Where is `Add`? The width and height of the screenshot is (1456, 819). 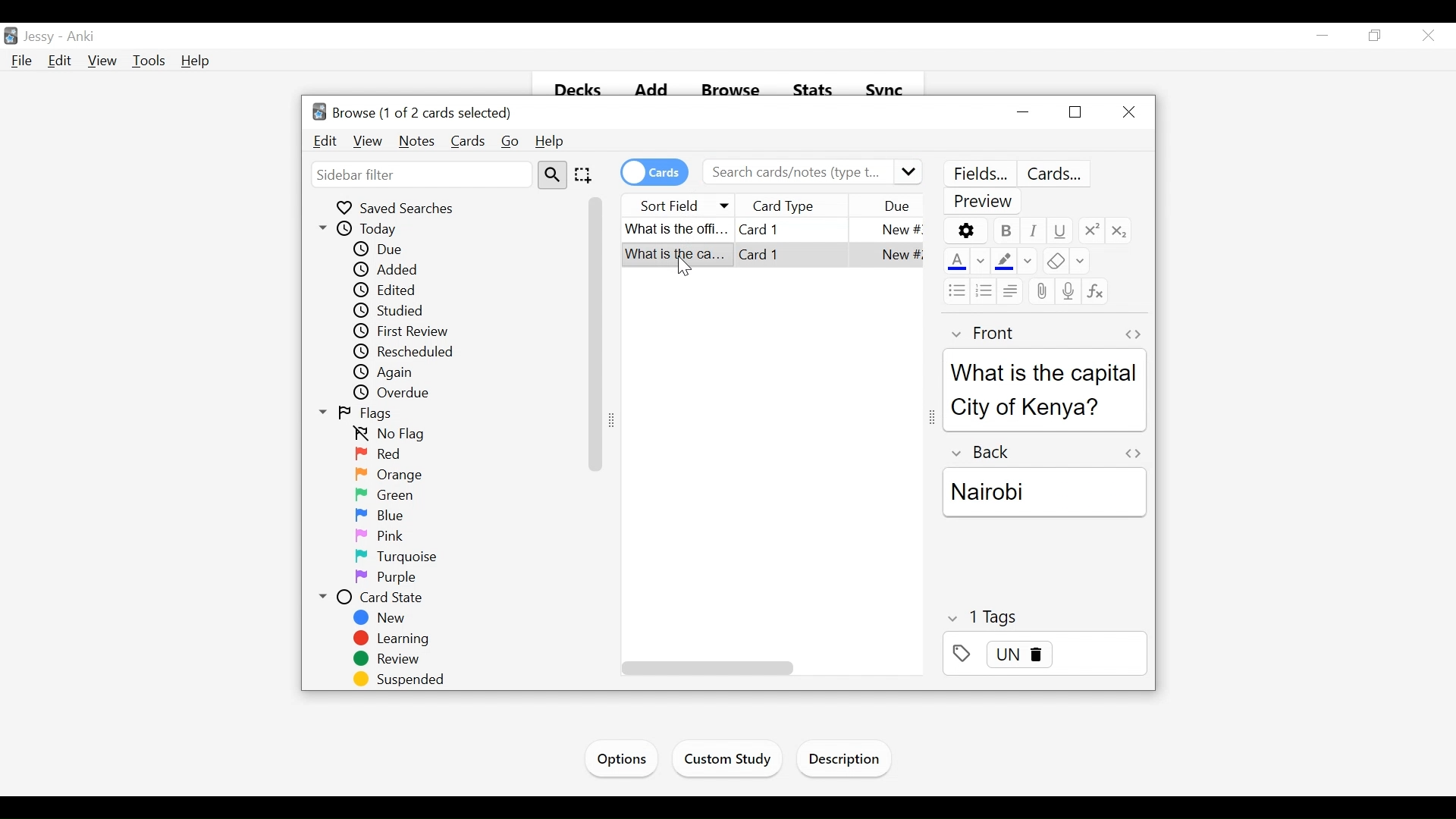
Add is located at coordinates (649, 91).